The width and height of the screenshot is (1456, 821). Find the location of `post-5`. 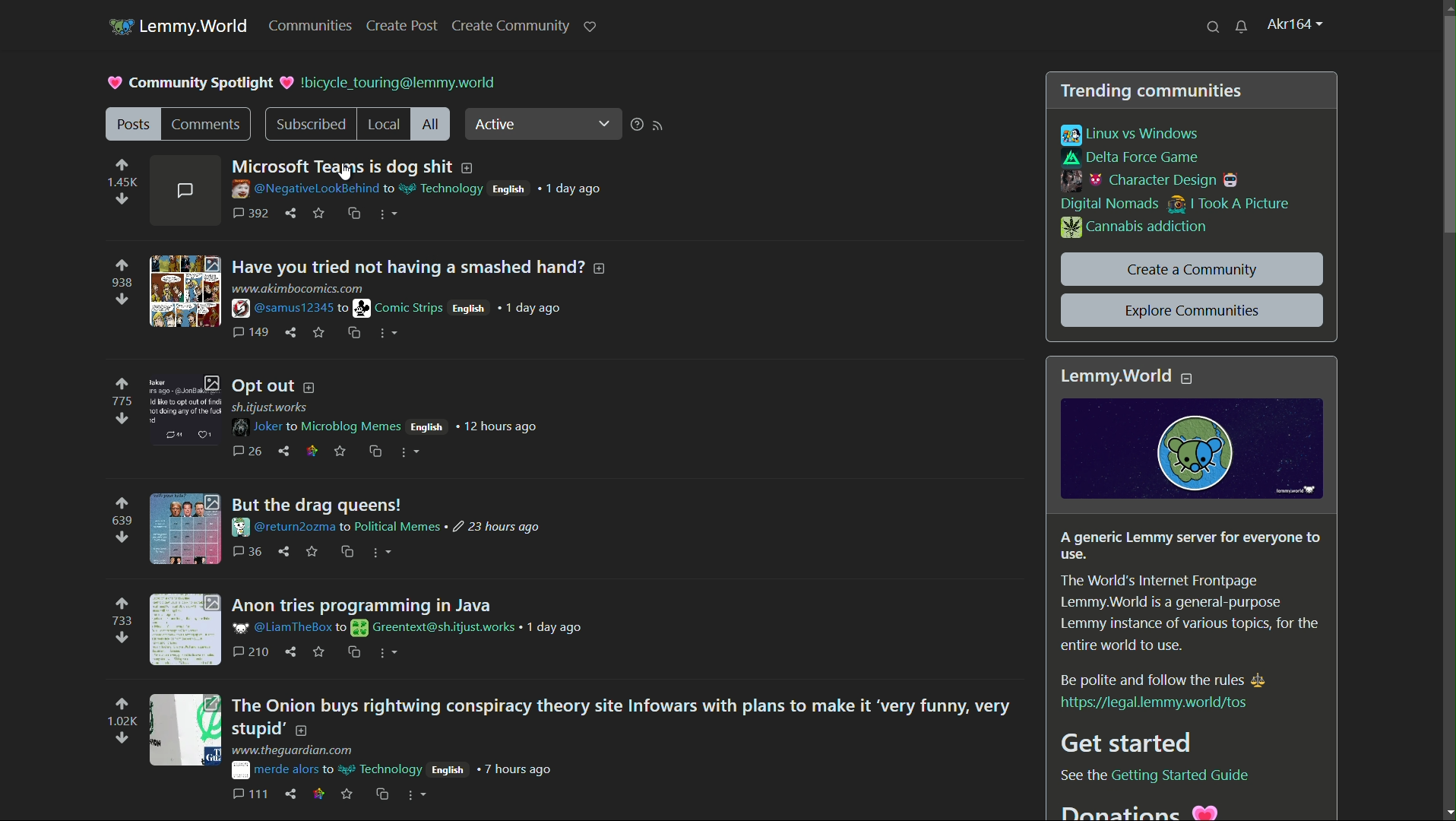

post-5 is located at coordinates (624, 716).